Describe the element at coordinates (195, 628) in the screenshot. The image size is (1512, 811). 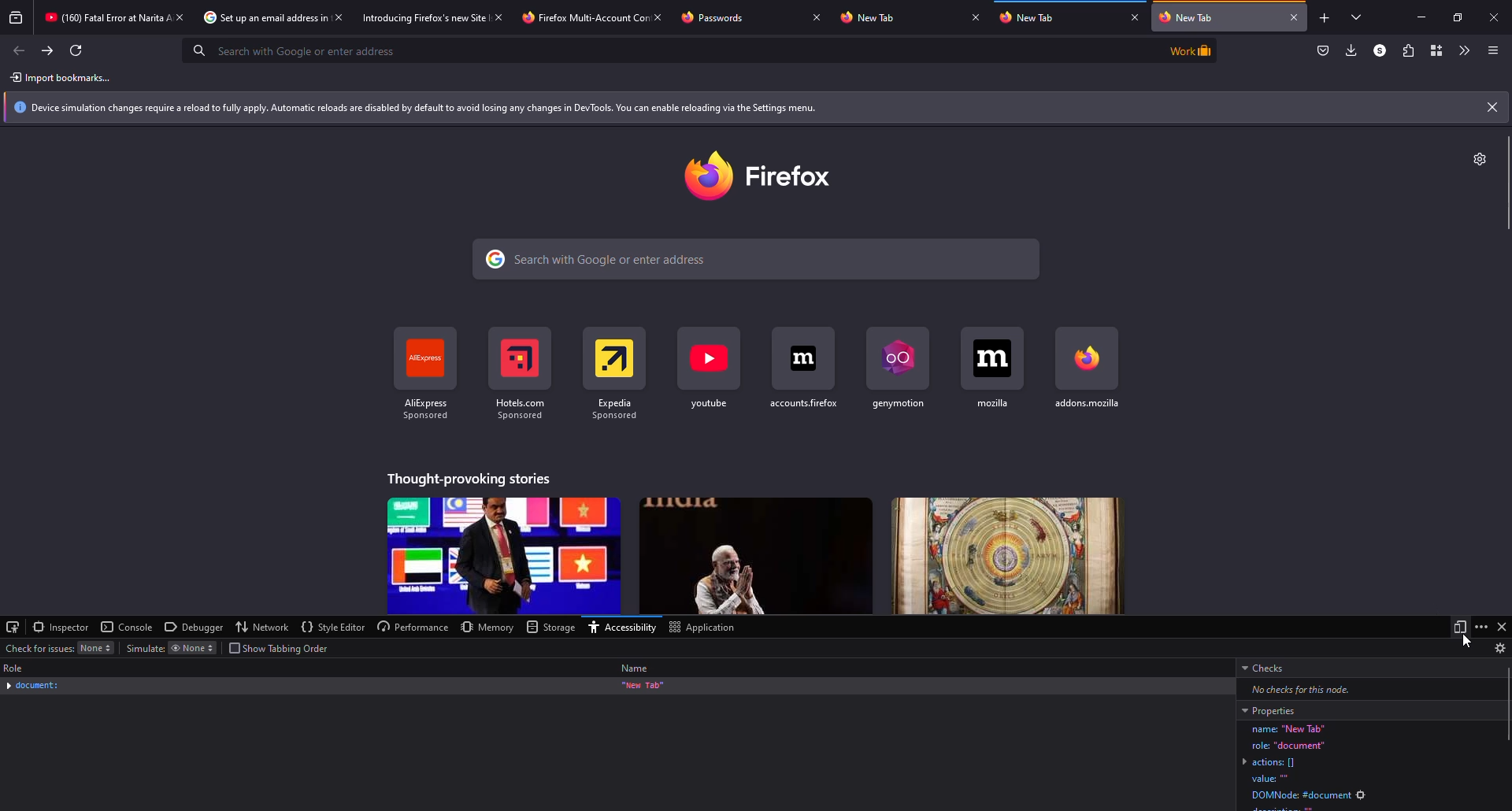
I see `debugger` at that location.